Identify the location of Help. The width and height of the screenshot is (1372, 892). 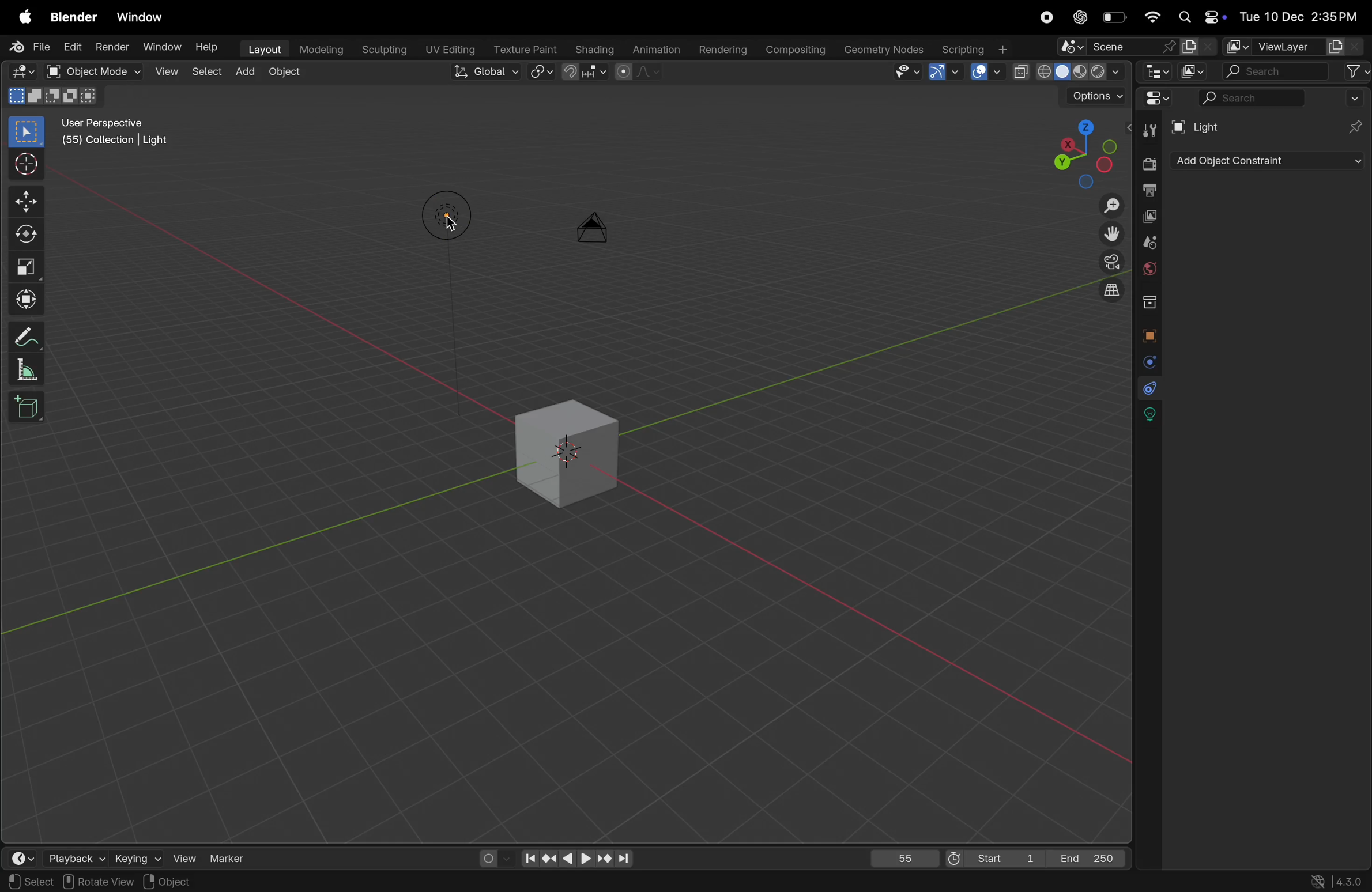
(208, 48).